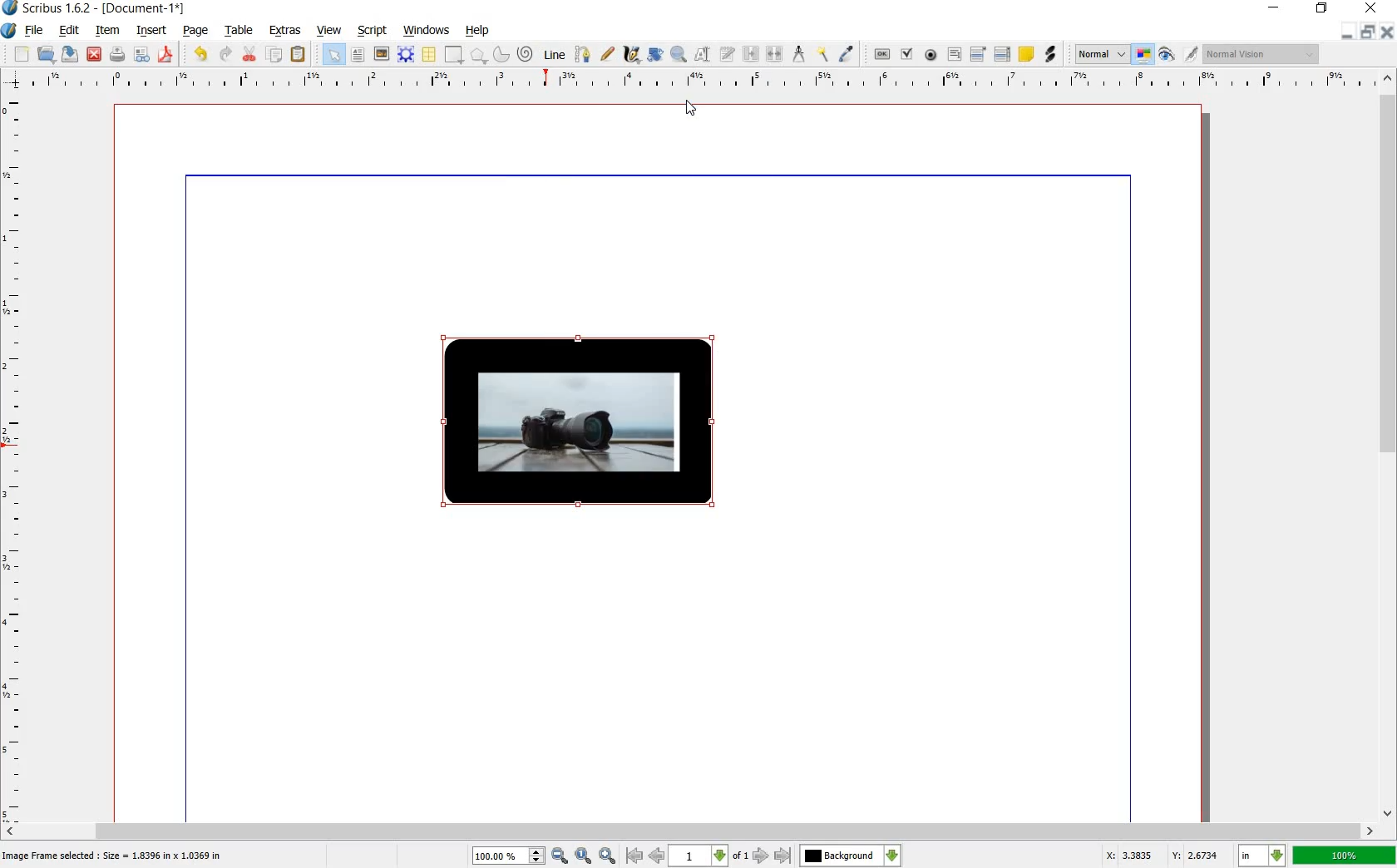 This screenshot has width=1397, height=868. I want to click on bezier curve, so click(580, 55).